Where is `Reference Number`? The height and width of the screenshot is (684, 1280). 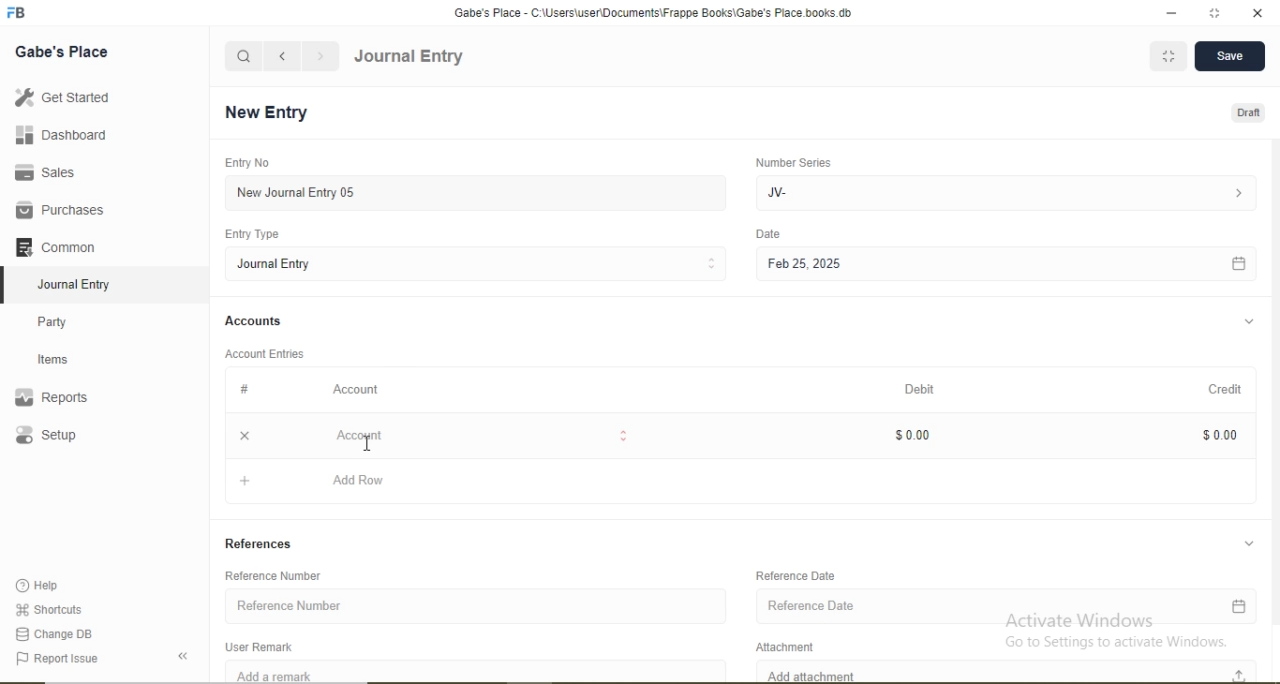 Reference Number is located at coordinates (476, 603).